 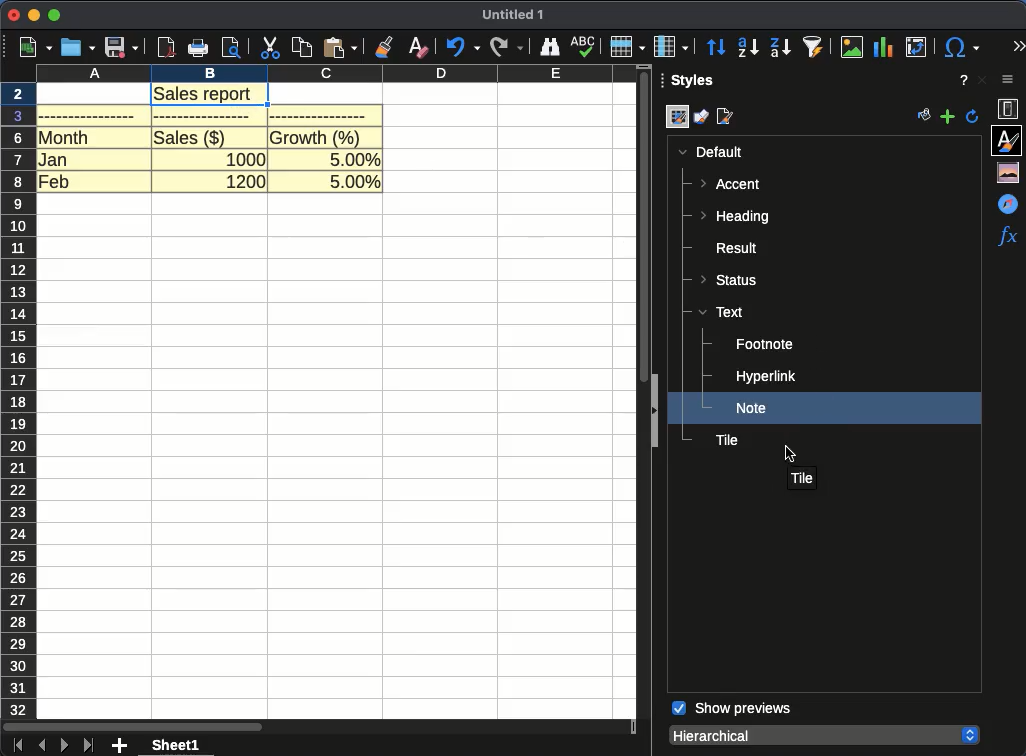 I want to click on autofilter, so click(x=814, y=46).